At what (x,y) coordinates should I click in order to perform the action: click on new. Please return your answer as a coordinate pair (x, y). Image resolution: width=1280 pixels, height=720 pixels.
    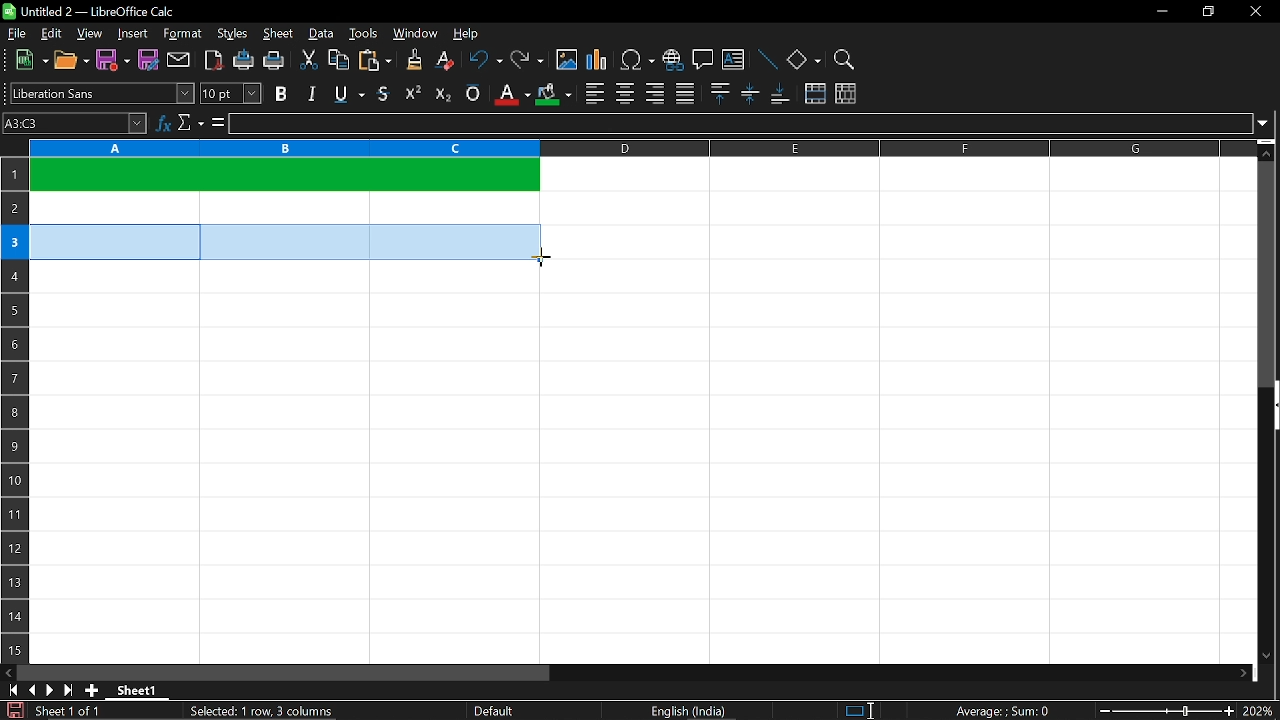
    Looking at the image, I should click on (27, 61).